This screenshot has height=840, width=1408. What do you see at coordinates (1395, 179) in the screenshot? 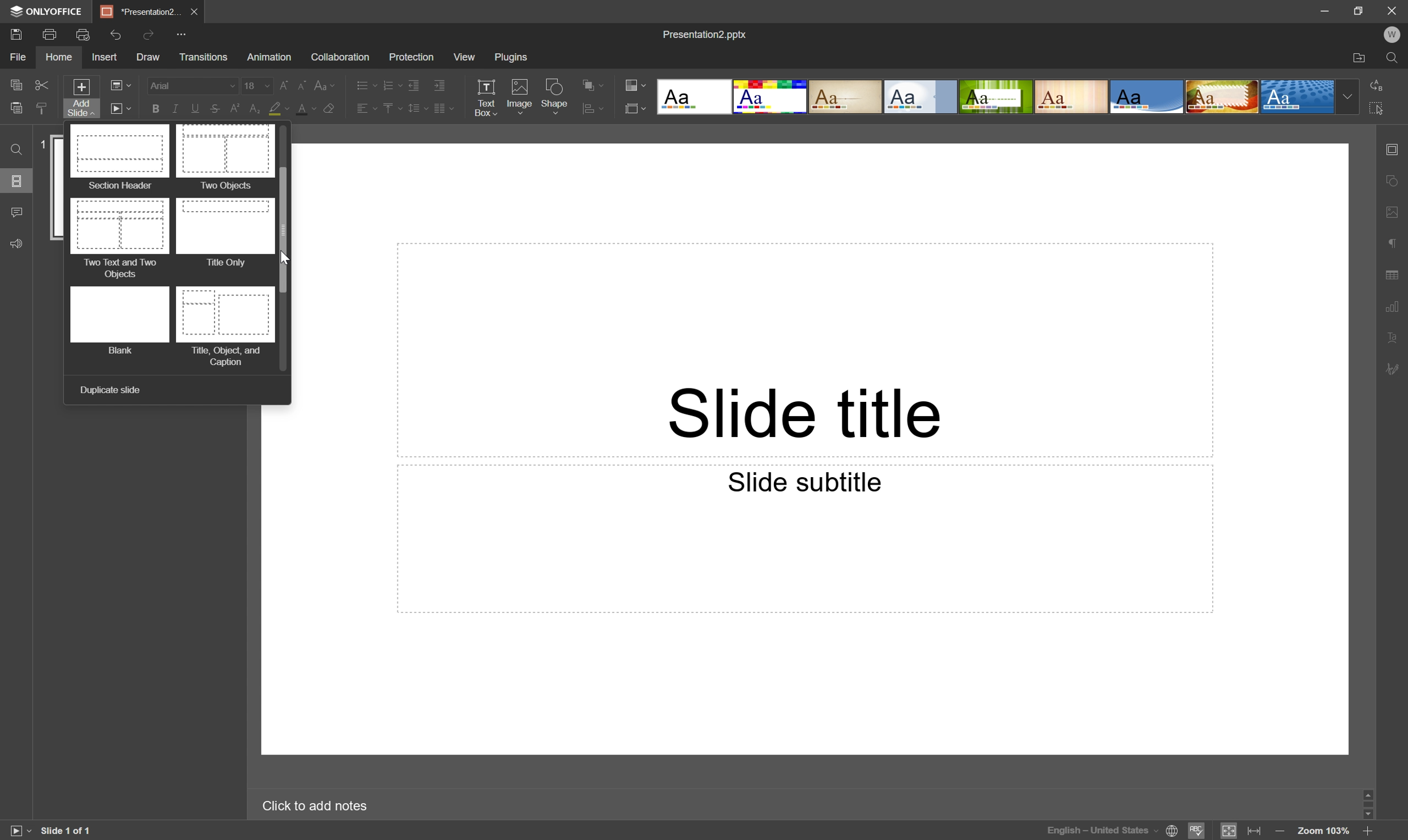
I see `Shape settings` at bounding box center [1395, 179].